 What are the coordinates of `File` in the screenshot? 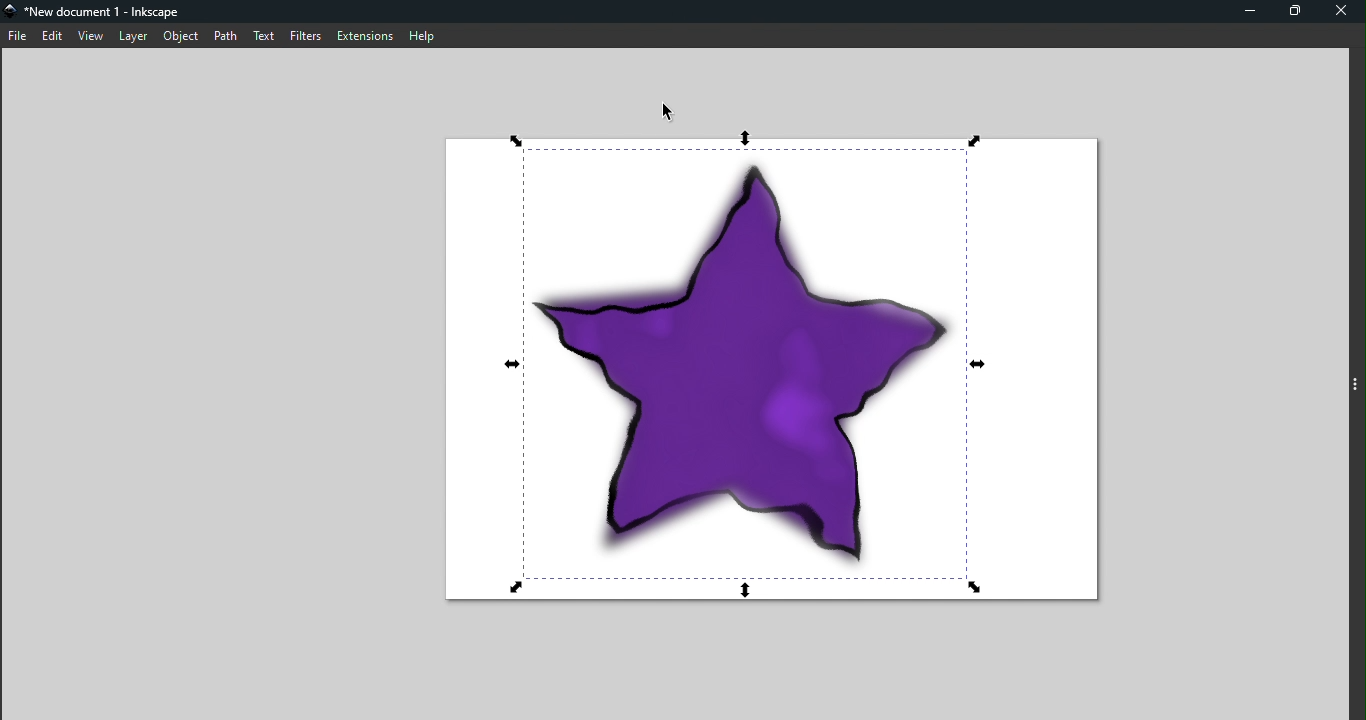 It's located at (18, 35).